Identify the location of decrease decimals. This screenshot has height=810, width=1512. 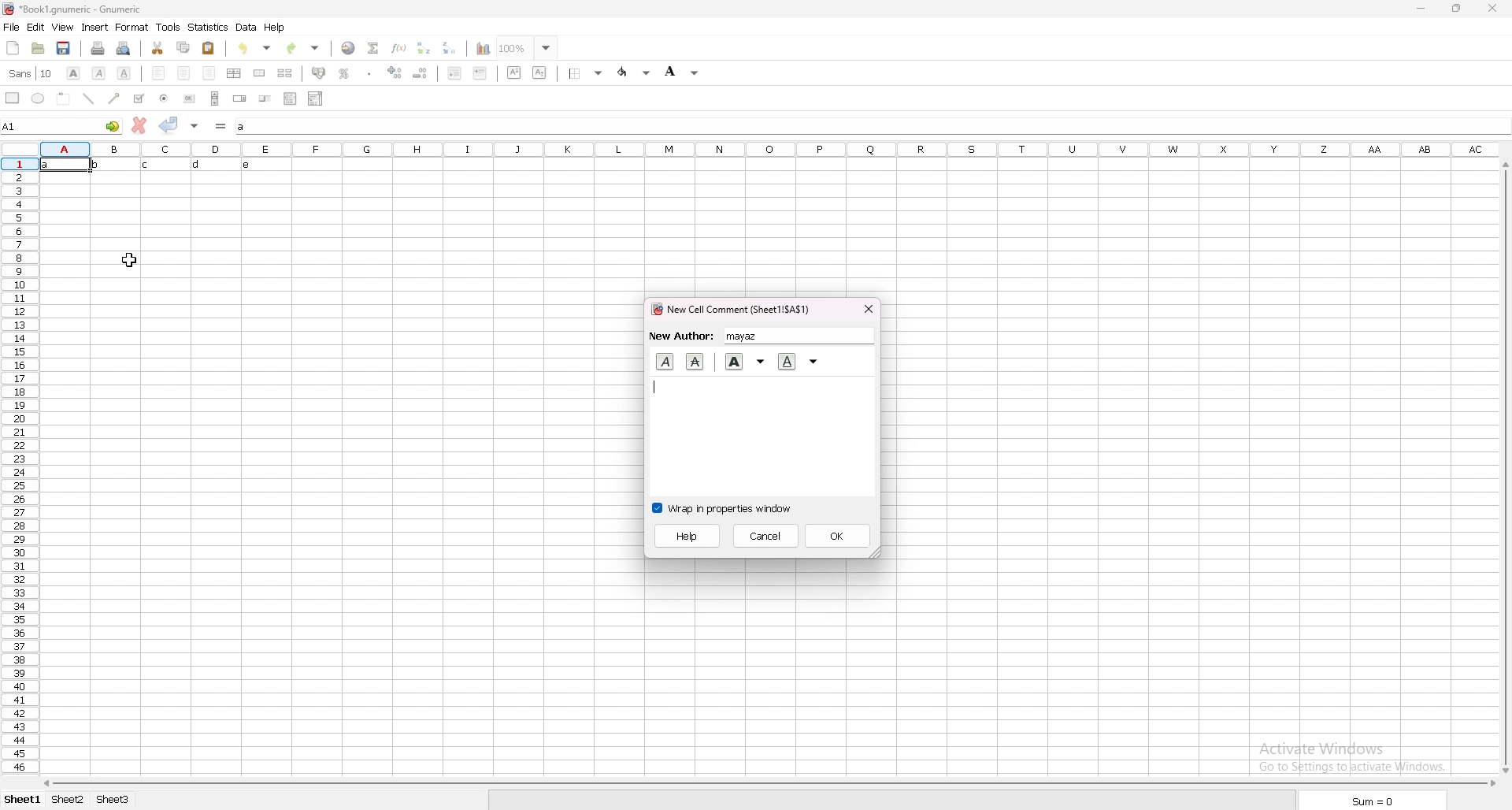
(421, 73).